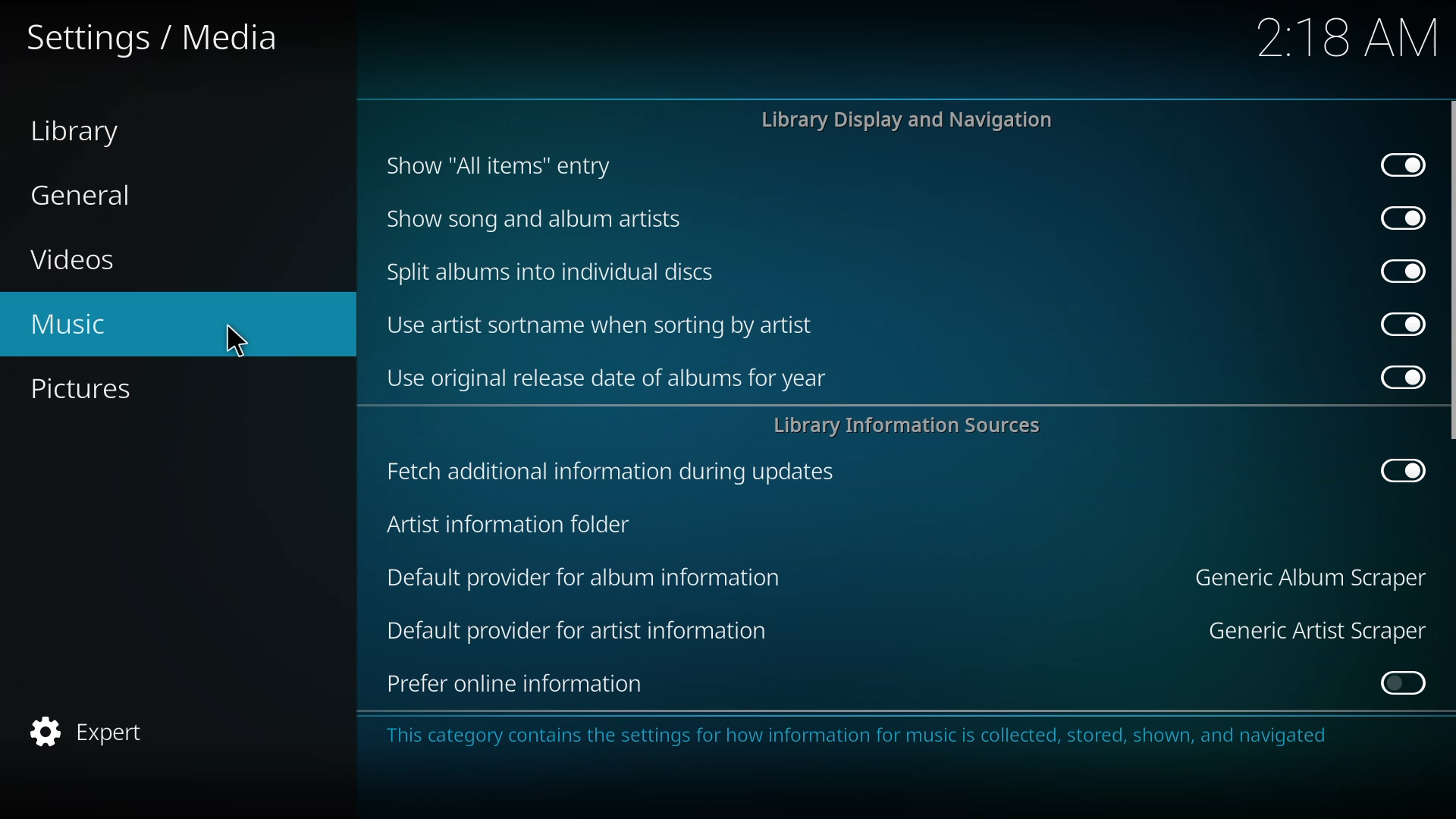  Describe the element at coordinates (1394, 375) in the screenshot. I see `enabled` at that location.